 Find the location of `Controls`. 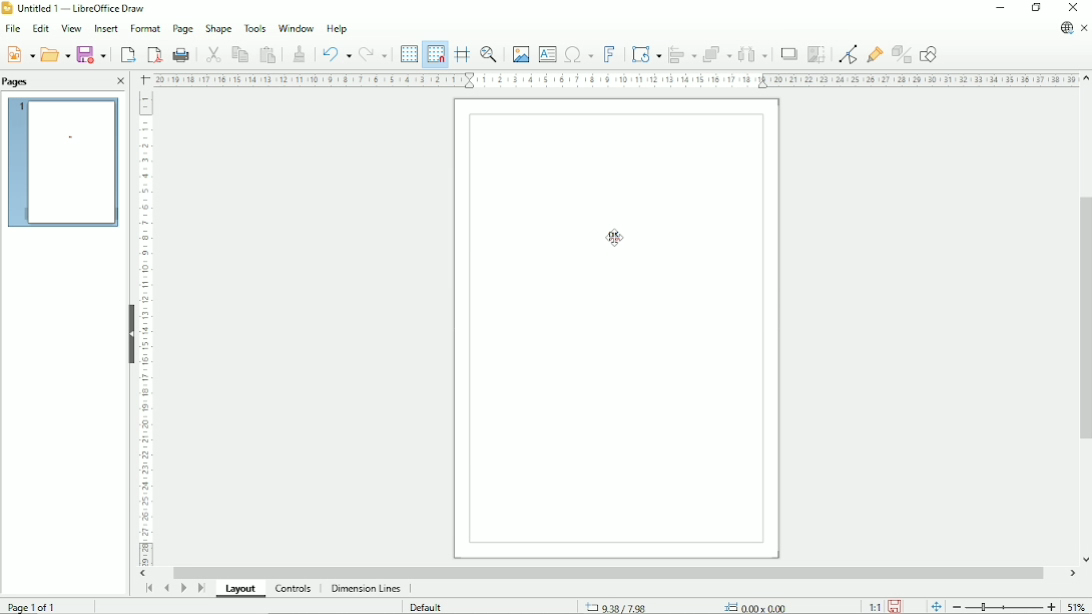

Controls is located at coordinates (293, 589).